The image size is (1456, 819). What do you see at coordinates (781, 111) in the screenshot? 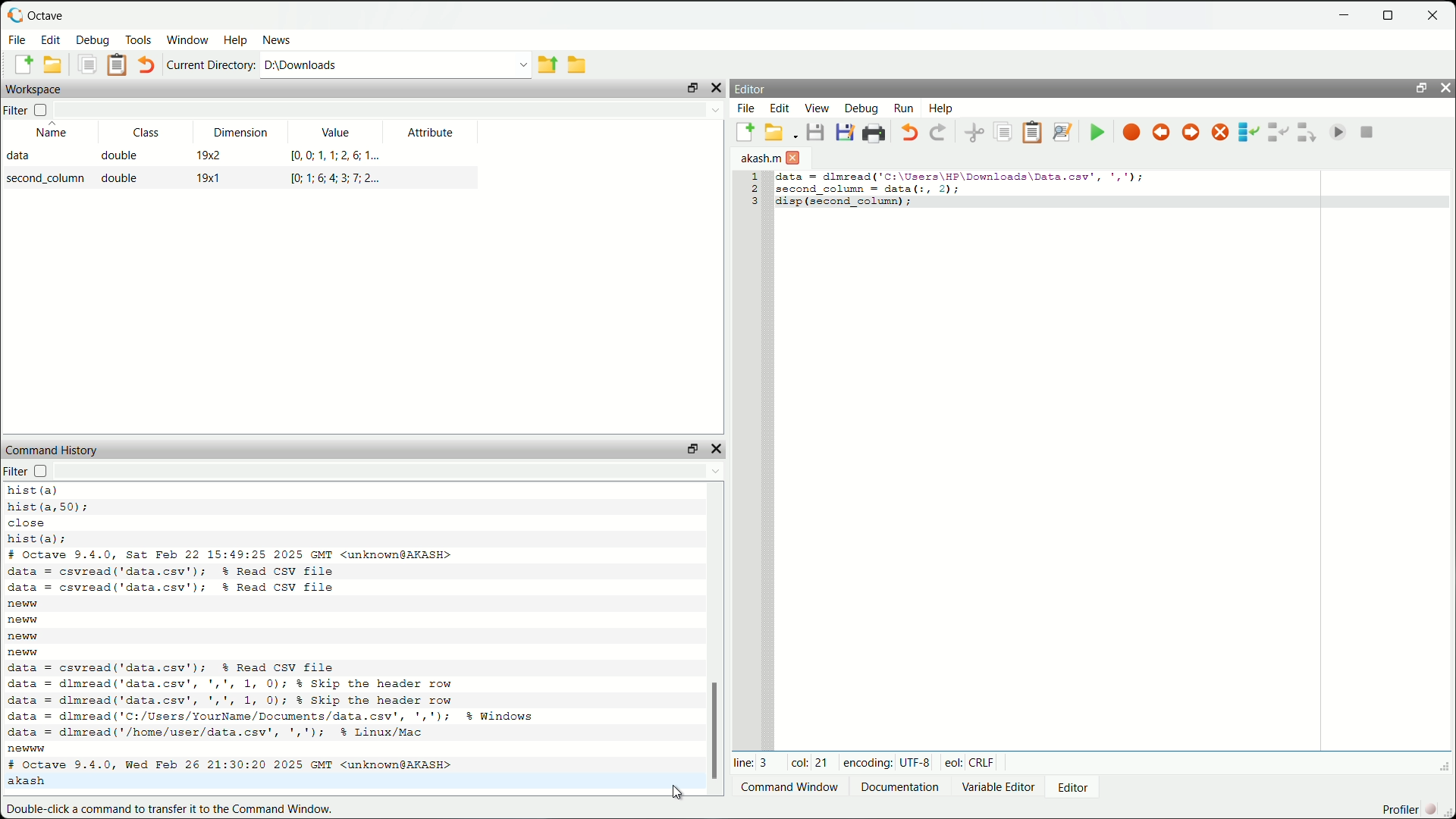
I see `edit` at bounding box center [781, 111].